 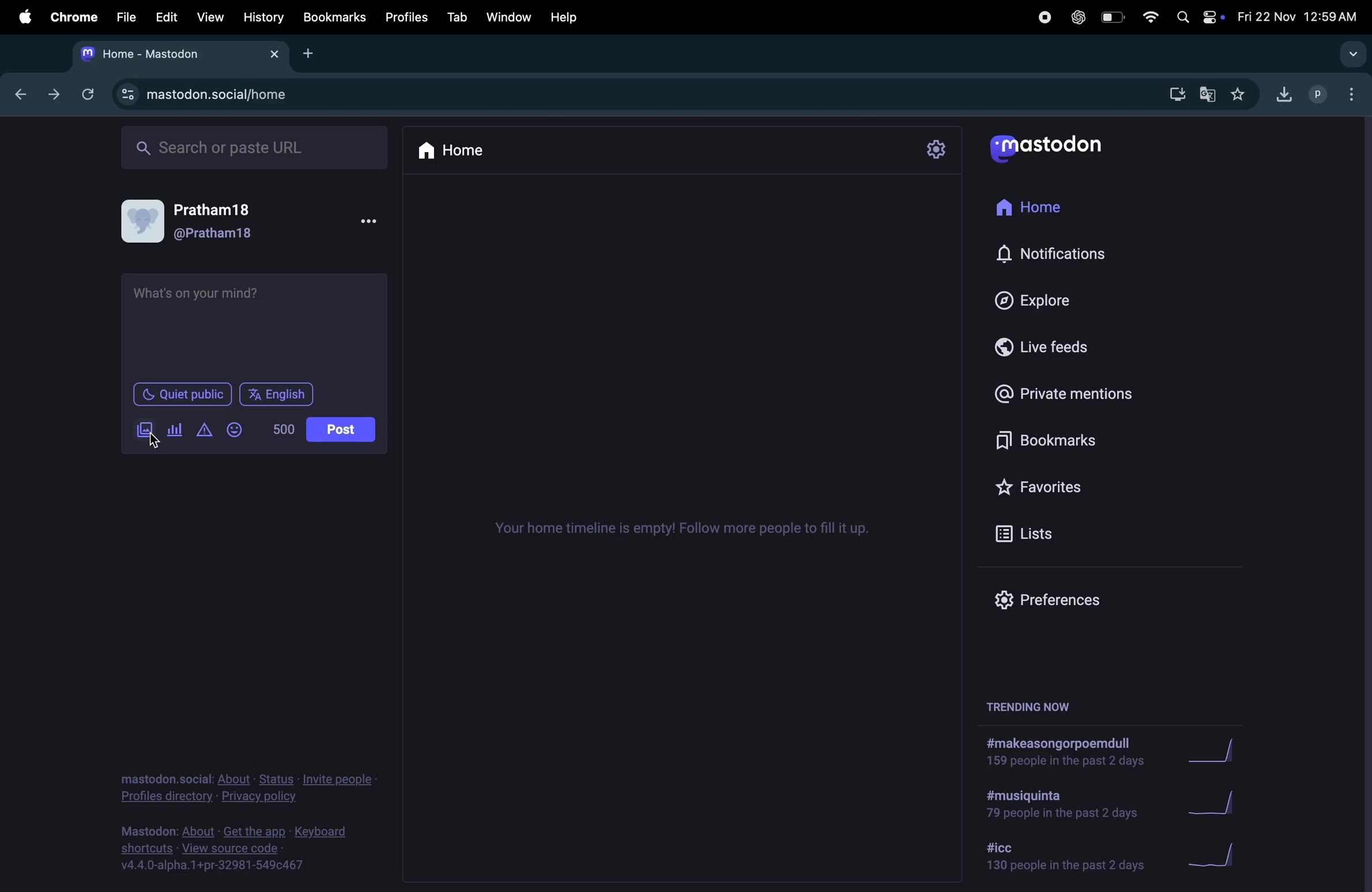 What do you see at coordinates (237, 95) in the screenshot?
I see `mastodon url` at bounding box center [237, 95].